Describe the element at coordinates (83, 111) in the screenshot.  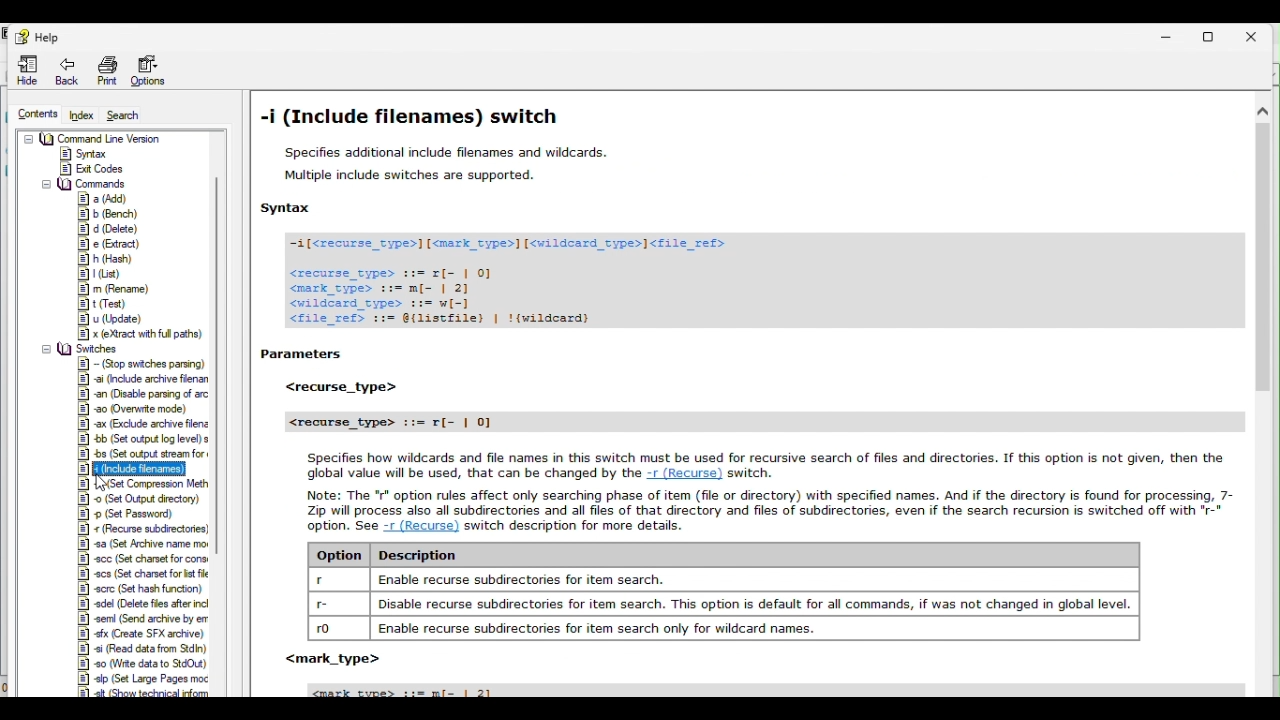
I see `Index` at that location.